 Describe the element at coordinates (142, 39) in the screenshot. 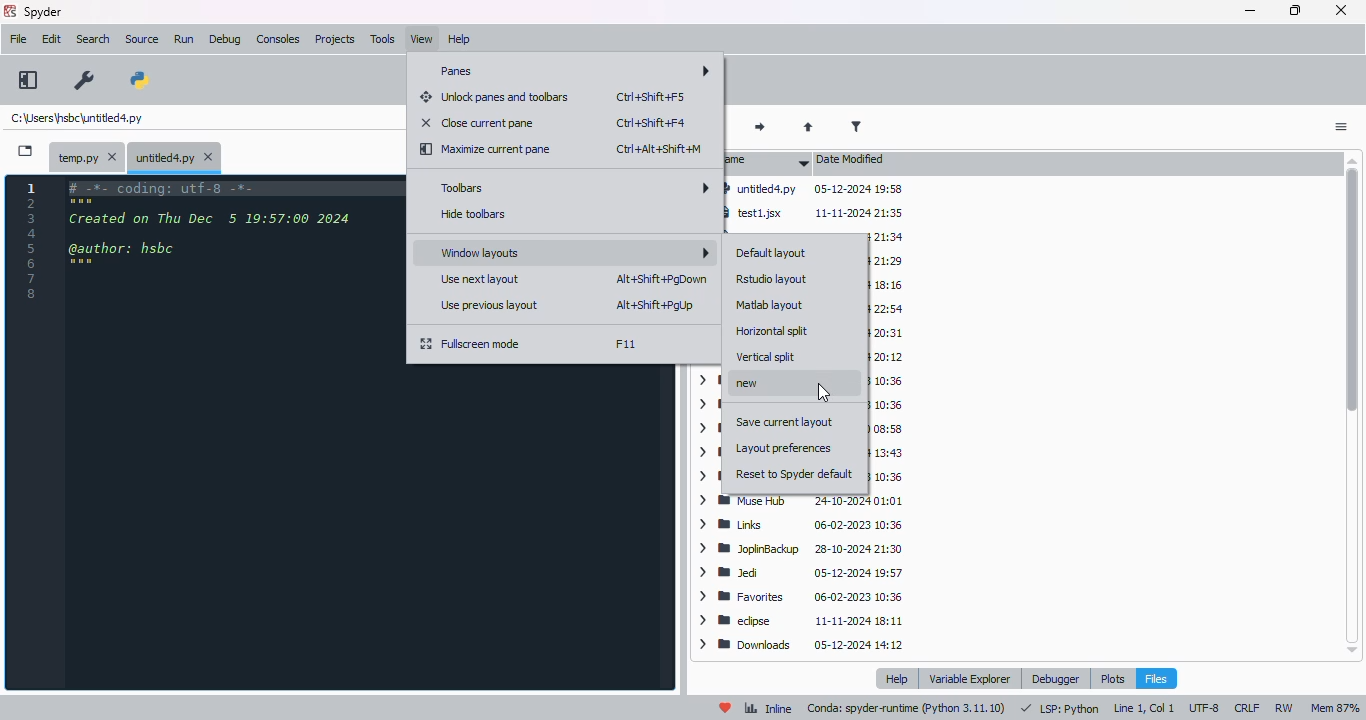

I see `source` at that location.